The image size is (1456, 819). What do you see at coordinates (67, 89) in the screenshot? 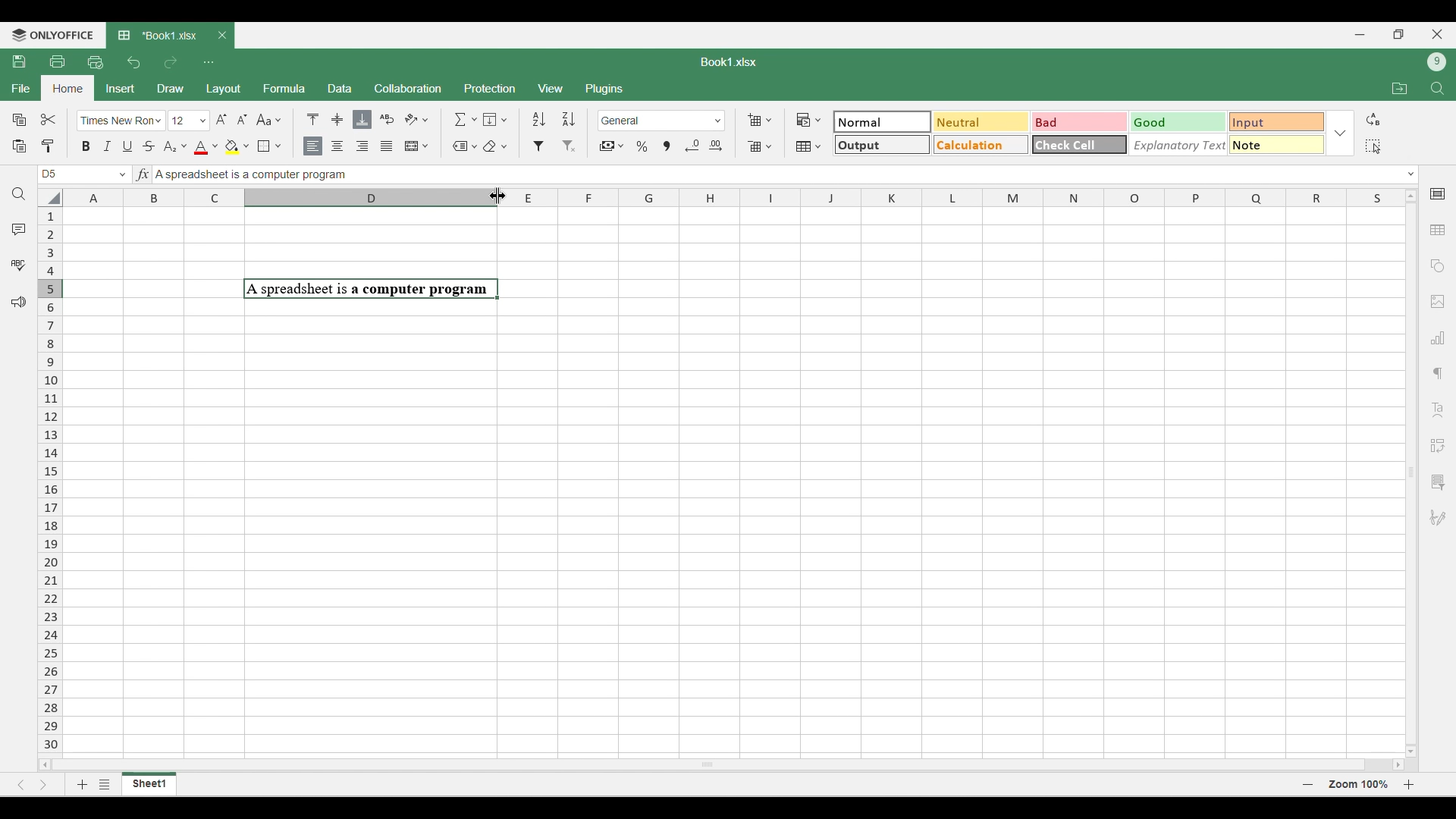
I see `Home menu, highlighted` at bounding box center [67, 89].